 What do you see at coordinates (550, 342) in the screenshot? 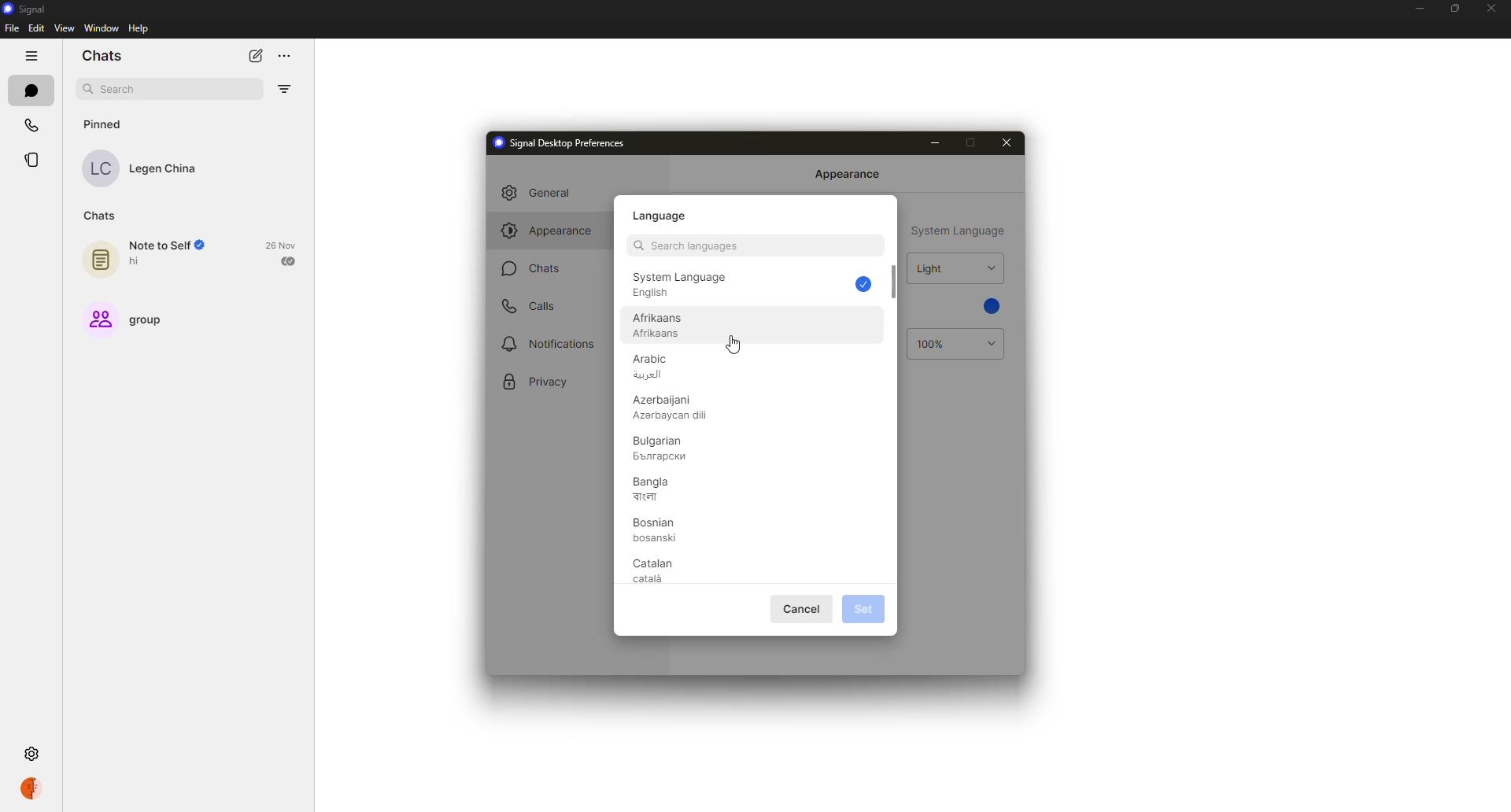
I see `notifications` at bounding box center [550, 342].